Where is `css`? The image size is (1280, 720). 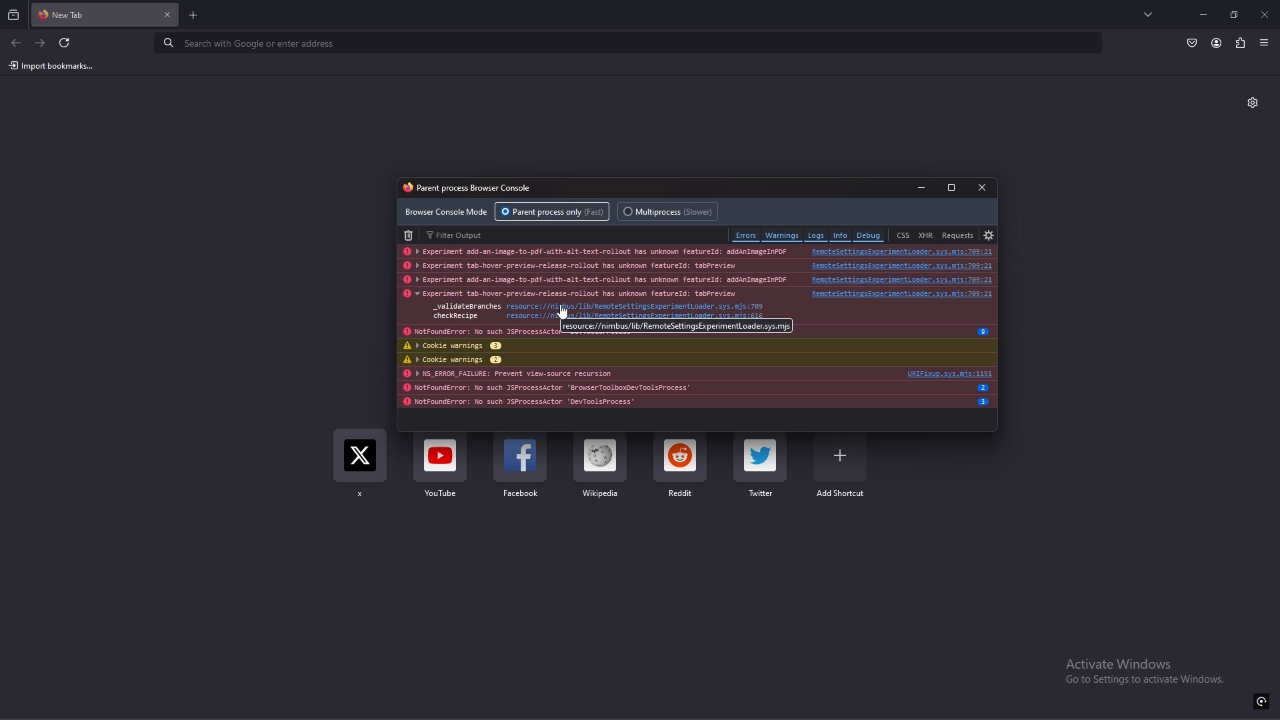 css is located at coordinates (902, 235).